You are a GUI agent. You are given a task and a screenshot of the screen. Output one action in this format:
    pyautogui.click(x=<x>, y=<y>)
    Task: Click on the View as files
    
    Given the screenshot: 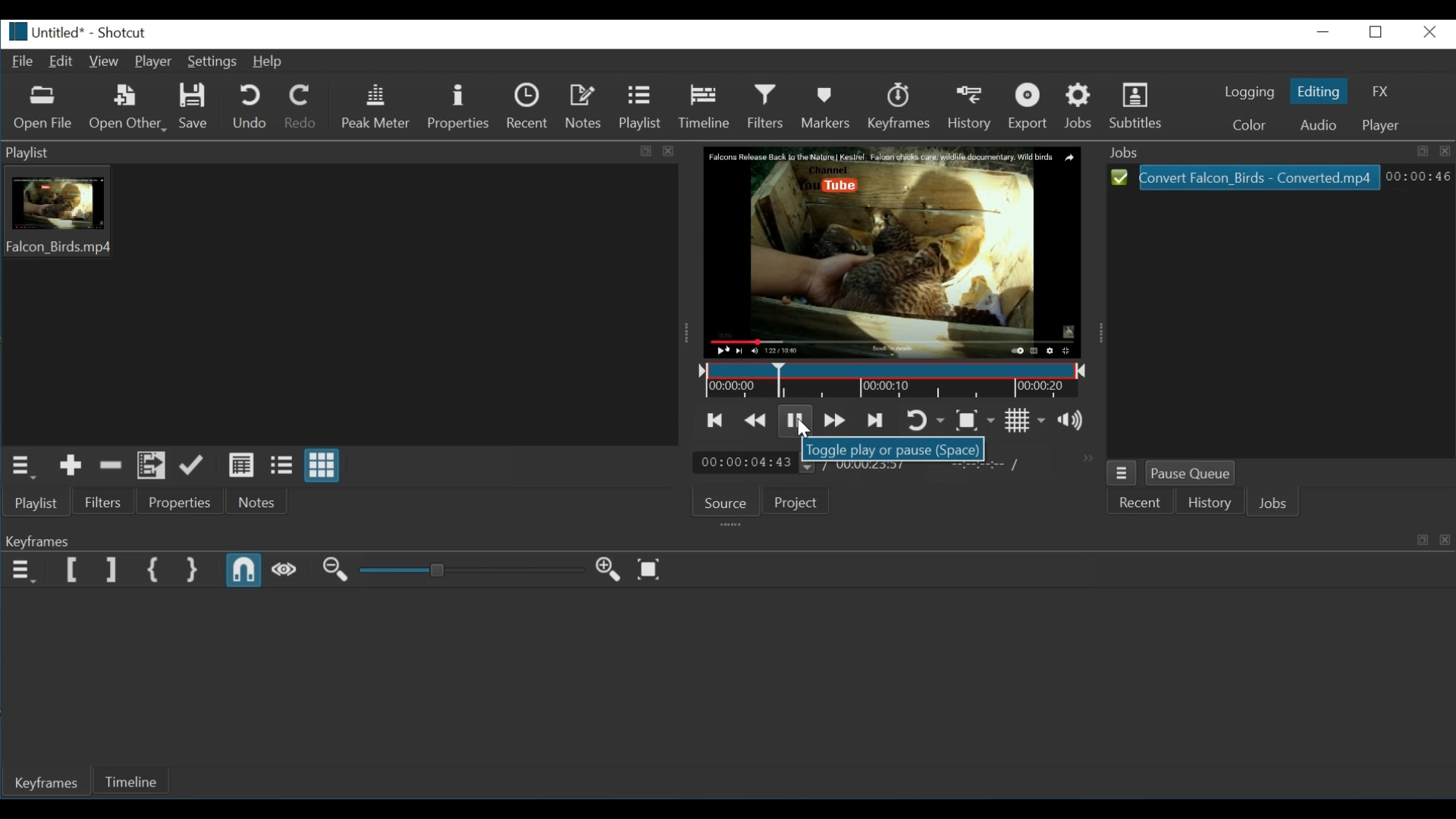 What is the action you would take?
    pyautogui.click(x=281, y=465)
    